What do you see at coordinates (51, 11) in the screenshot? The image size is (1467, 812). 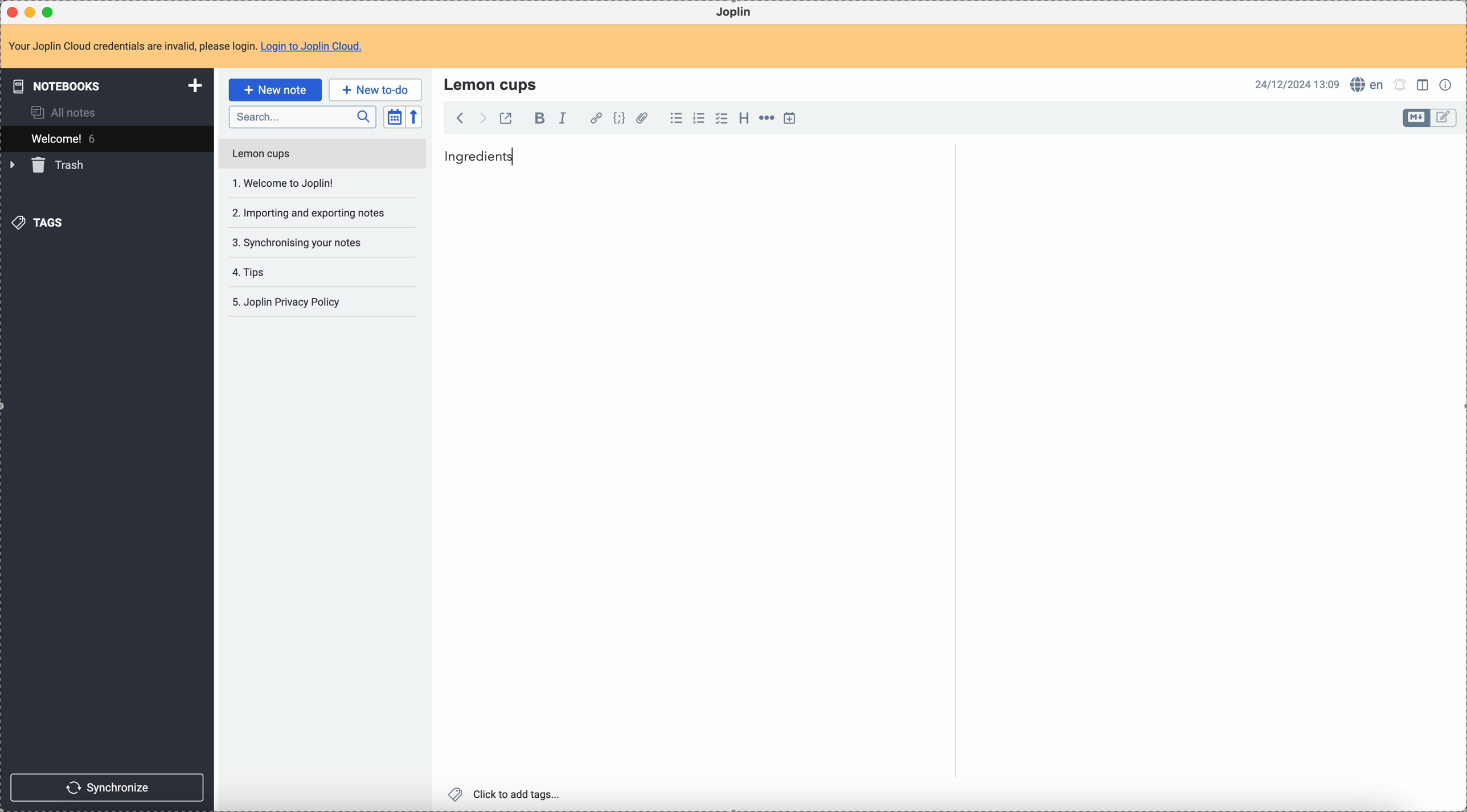 I see `maximize` at bounding box center [51, 11].